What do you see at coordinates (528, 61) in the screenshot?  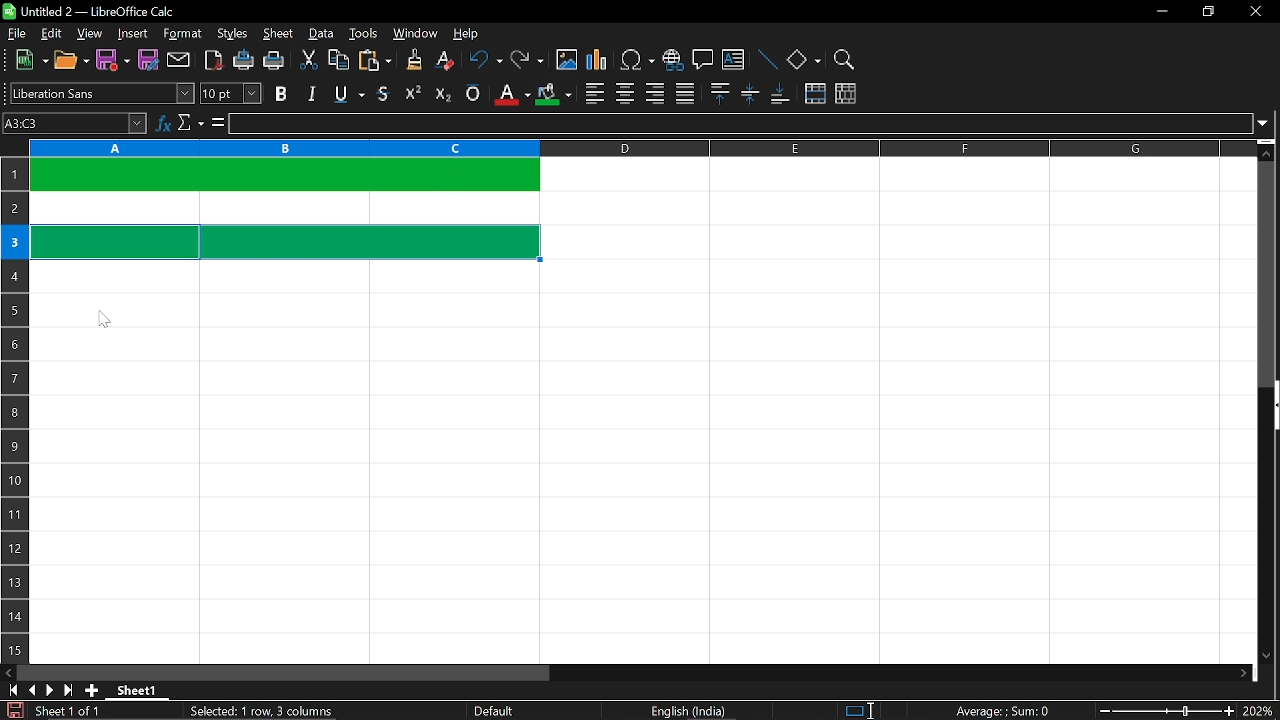 I see `redo` at bounding box center [528, 61].